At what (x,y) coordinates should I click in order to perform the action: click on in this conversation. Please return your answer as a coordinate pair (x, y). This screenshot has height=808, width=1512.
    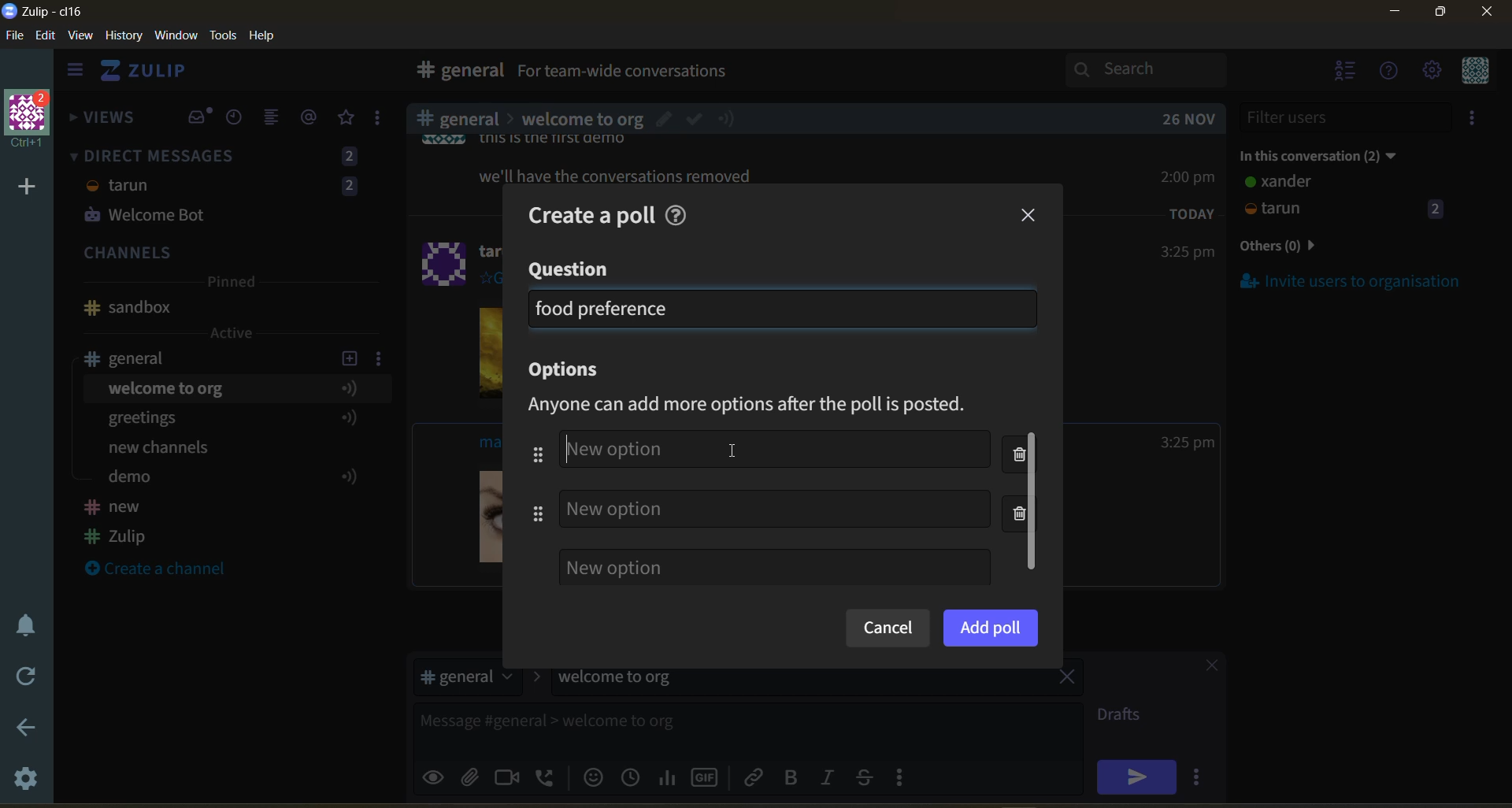
    Looking at the image, I should click on (1335, 153).